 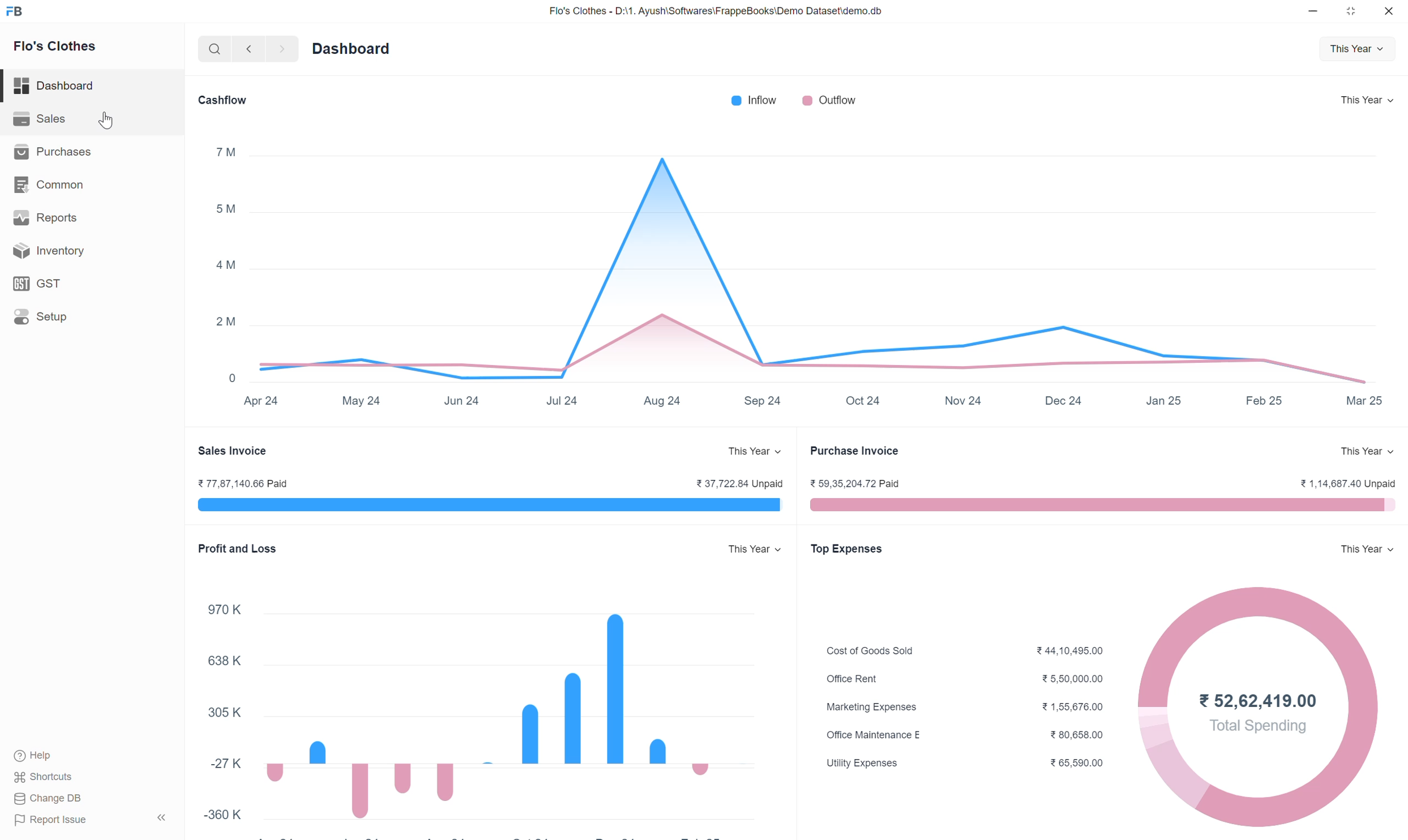 I want to click on Report Issue , so click(x=60, y=822).